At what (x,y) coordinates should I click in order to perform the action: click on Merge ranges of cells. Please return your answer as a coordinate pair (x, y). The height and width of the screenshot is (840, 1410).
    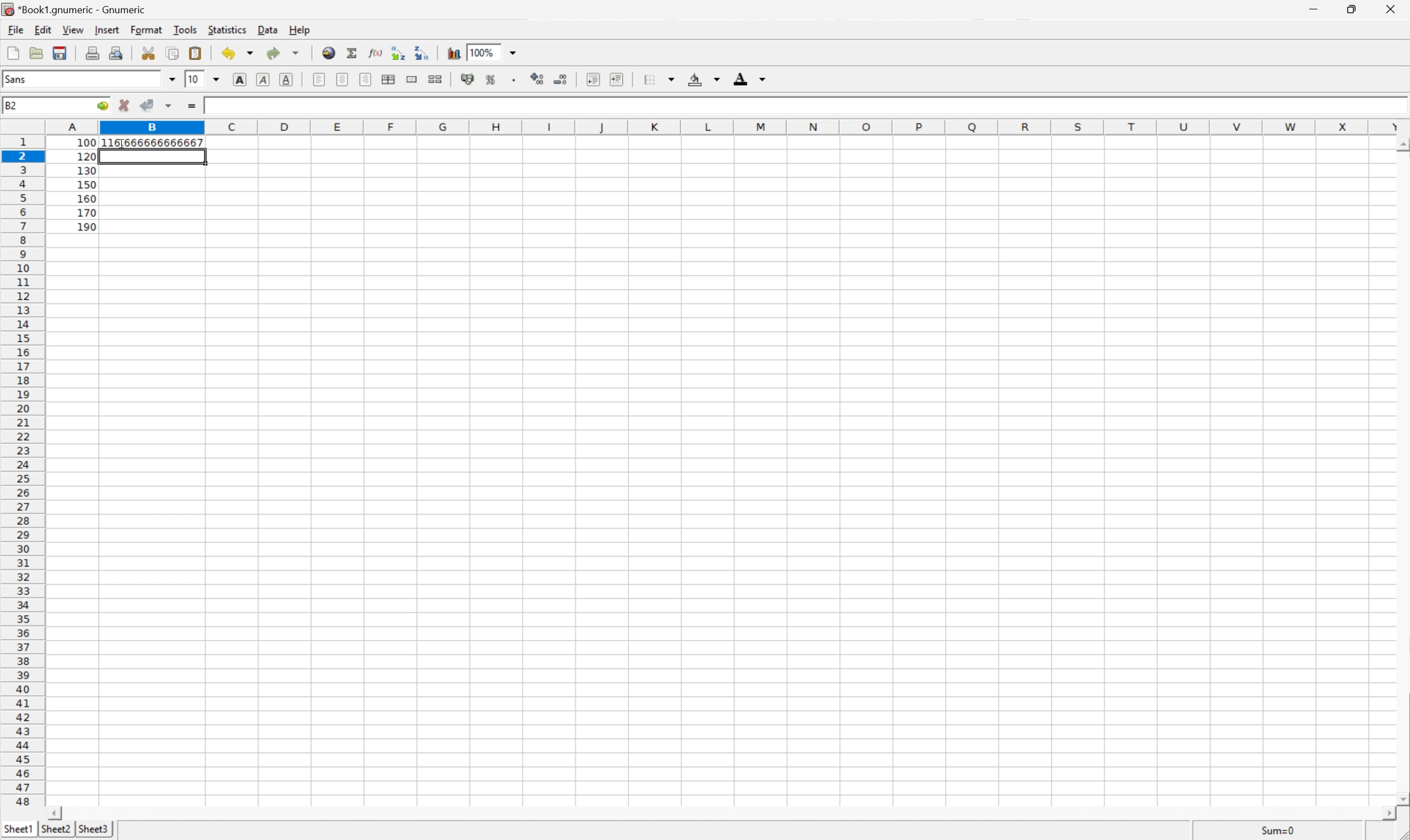
    Looking at the image, I should click on (413, 79).